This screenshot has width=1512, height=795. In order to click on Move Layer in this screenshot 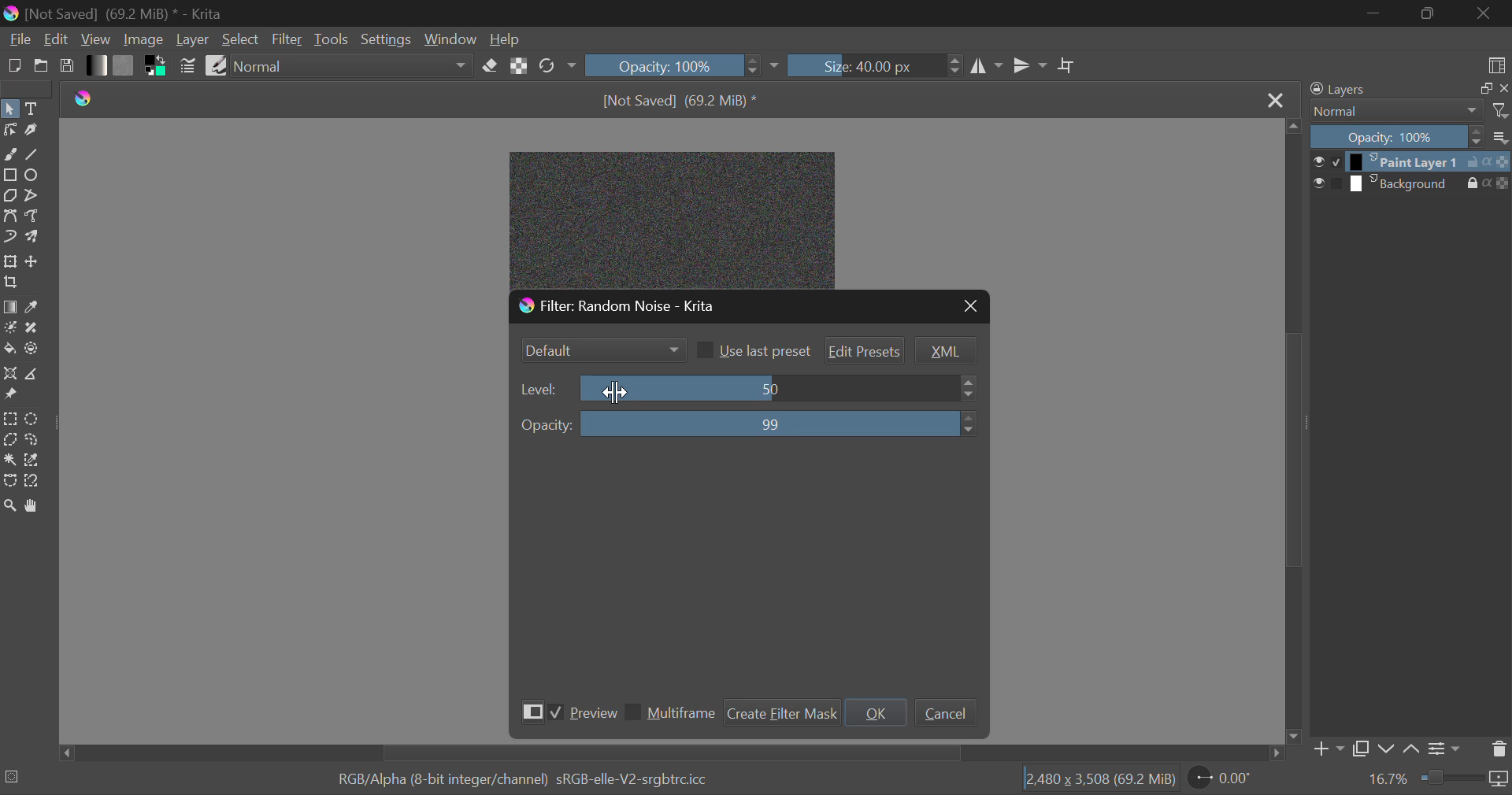, I will do `click(34, 264)`.